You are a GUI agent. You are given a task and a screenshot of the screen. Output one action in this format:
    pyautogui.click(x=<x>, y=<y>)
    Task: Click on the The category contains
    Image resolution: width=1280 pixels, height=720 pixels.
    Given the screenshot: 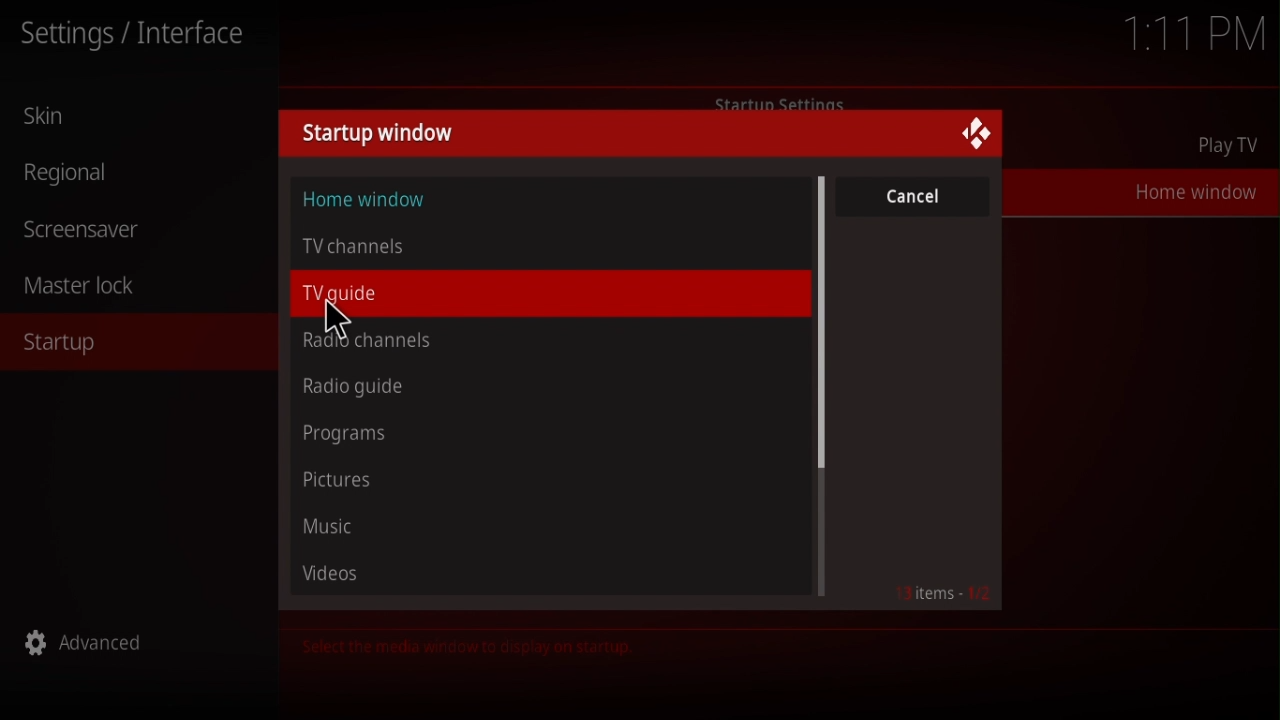 What is the action you would take?
    pyautogui.click(x=463, y=647)
    